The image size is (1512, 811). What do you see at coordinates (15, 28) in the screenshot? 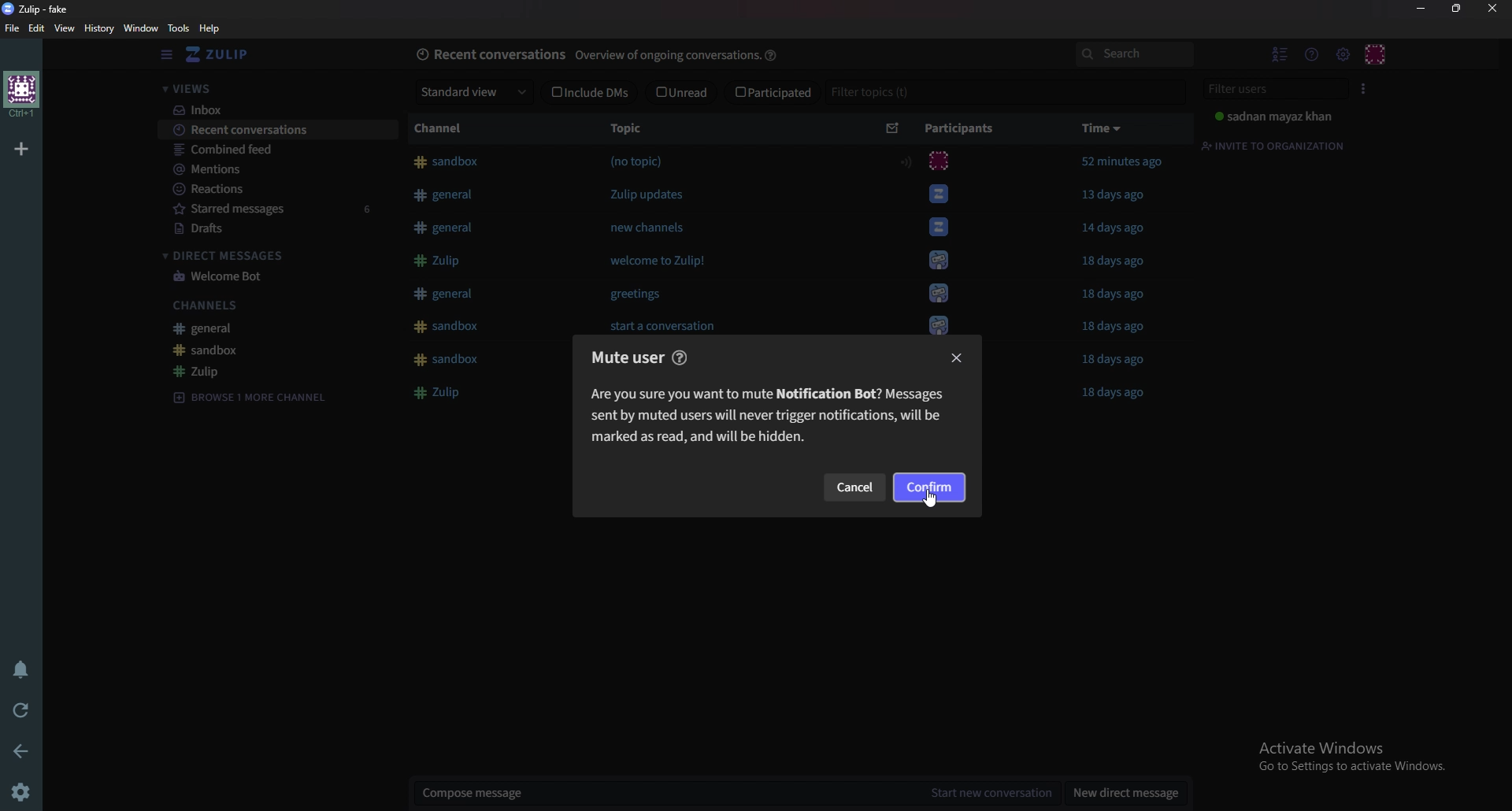
I see `file` at bounding box center [15, 28].